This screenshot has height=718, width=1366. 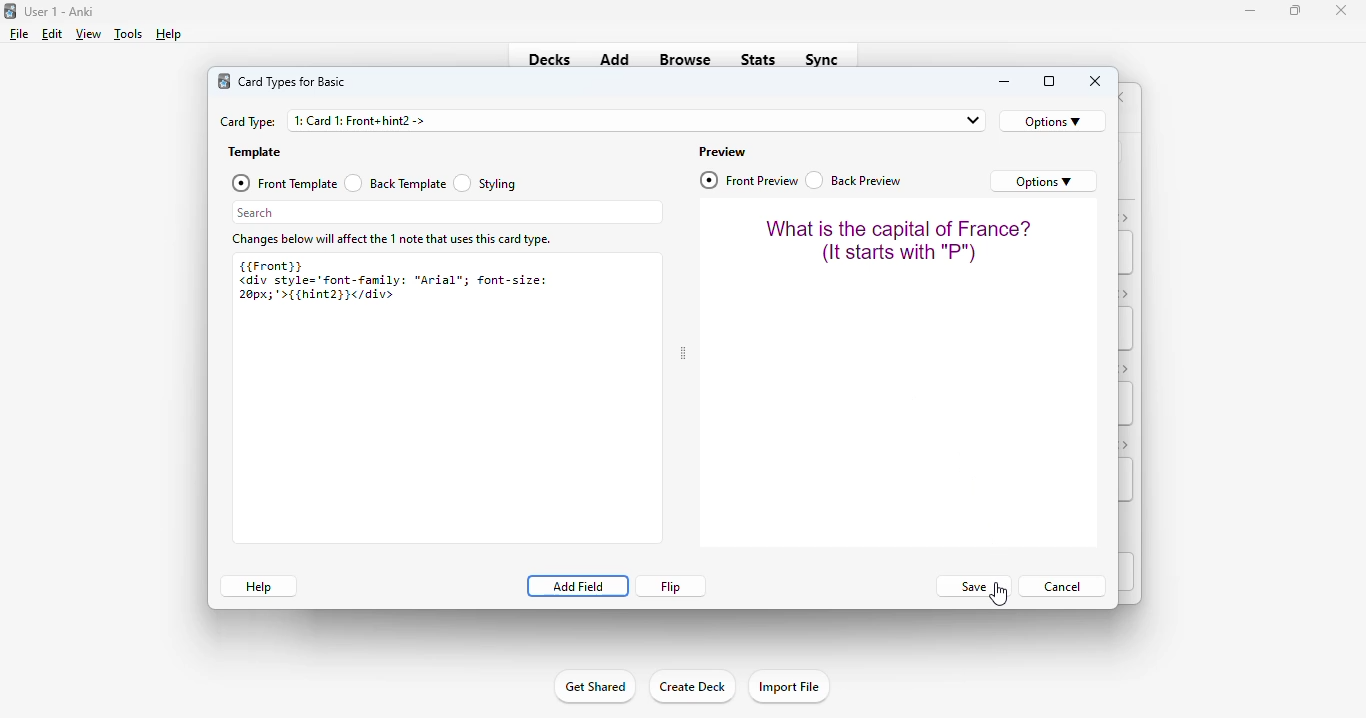 I want to click on create deck, so click(x=691, y=685).